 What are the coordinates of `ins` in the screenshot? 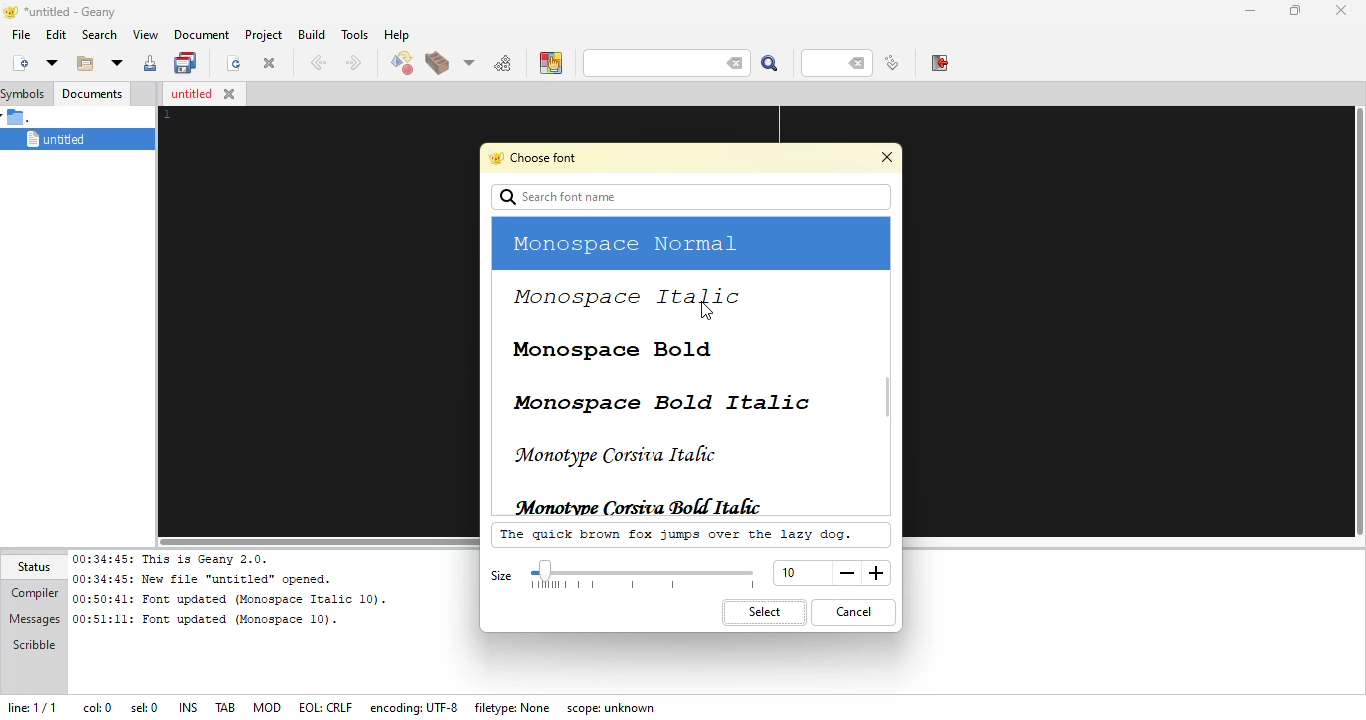 It's located at (188, 706).